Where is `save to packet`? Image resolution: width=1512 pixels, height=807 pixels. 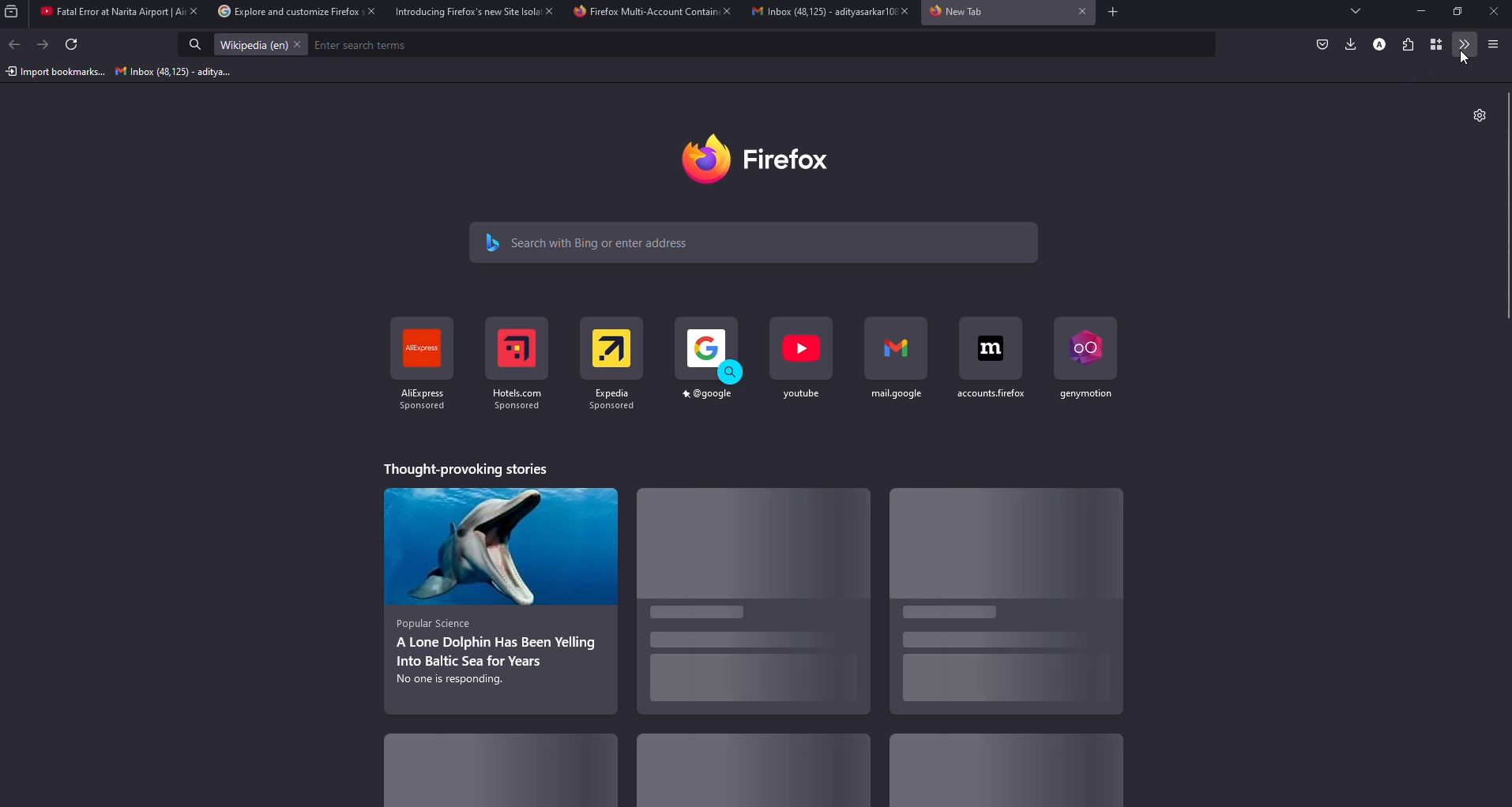
save to packet is located at coordinates (1322, 43).